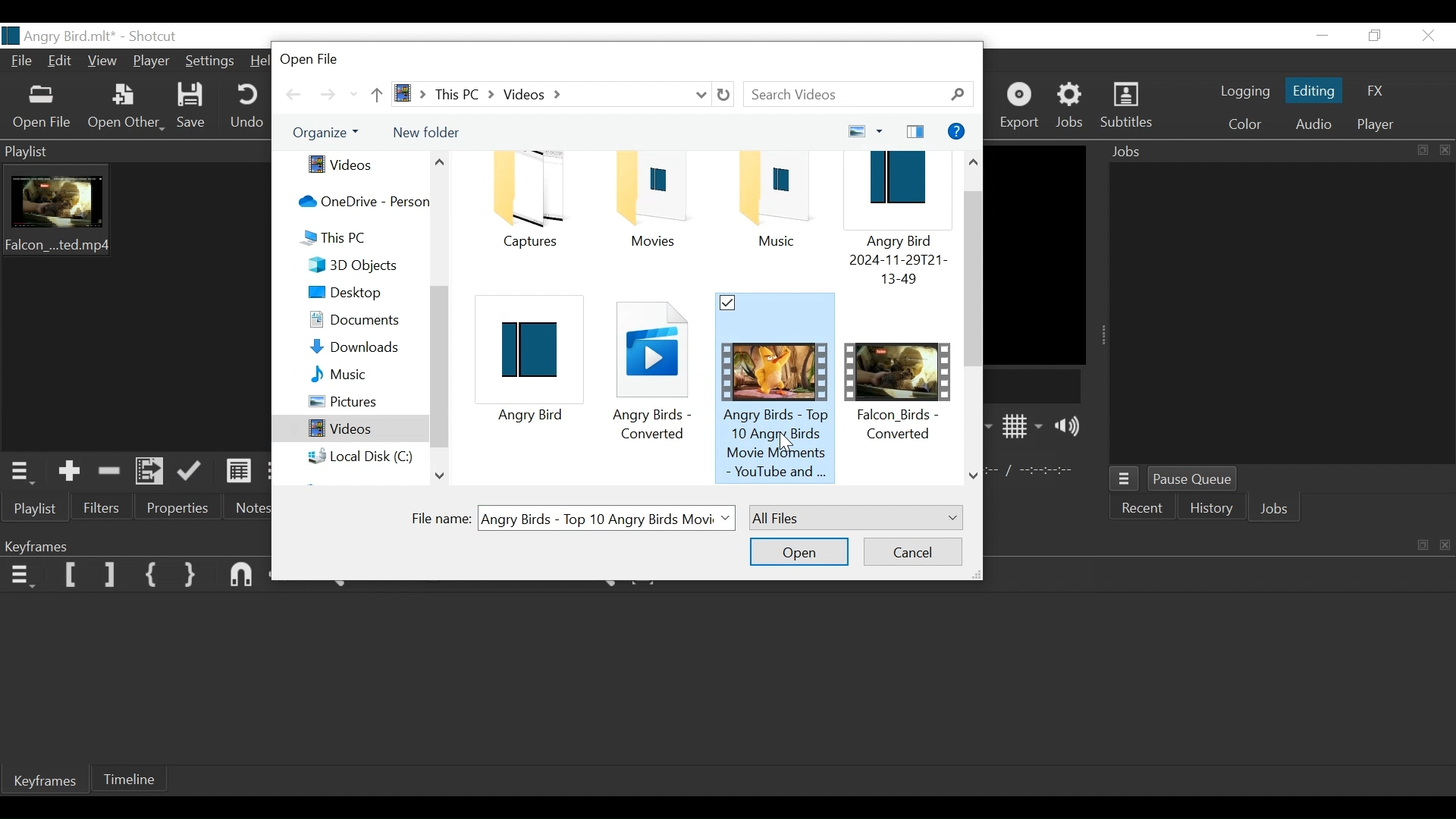 This screenshot has width=1456, height=819. I want to click on Close, so click(1428, 36).